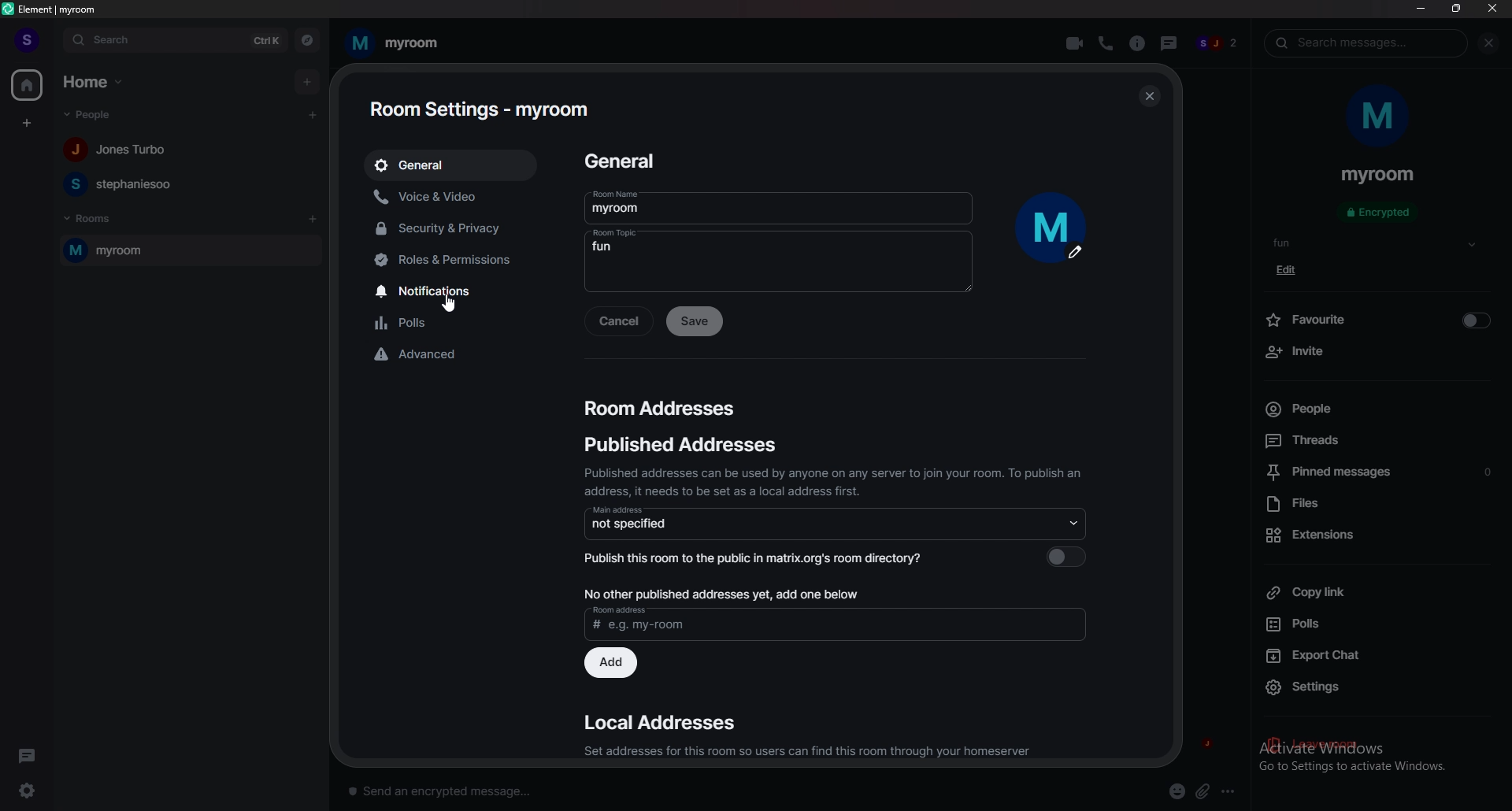  What do you see at coordinates (1178, 792) in the screenshot?
I see `emoji` at bounding box center [1178, 792].